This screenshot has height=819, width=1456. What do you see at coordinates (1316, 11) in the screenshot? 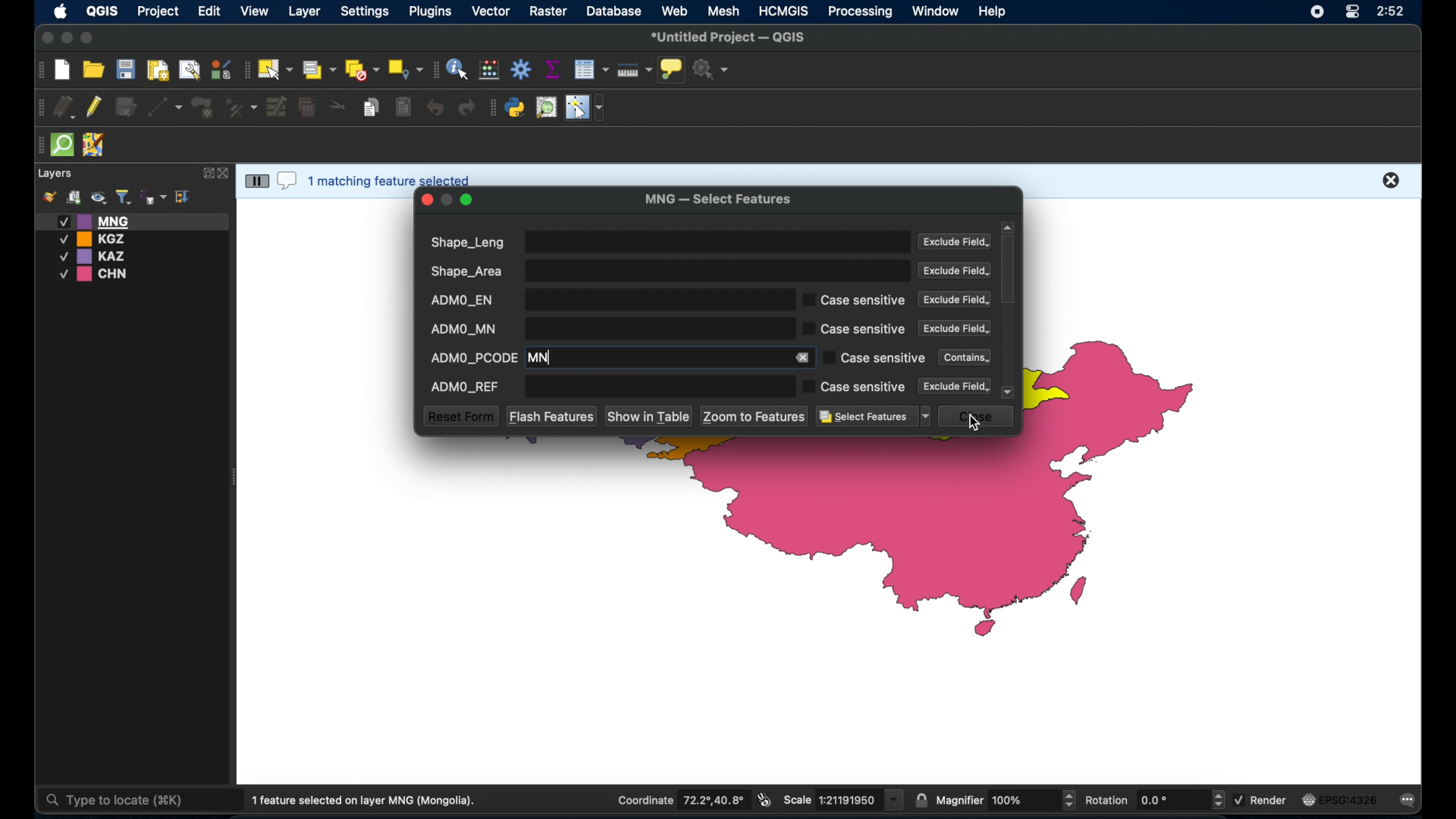
I see `screen recorder` at bounding box center [1316, 11].